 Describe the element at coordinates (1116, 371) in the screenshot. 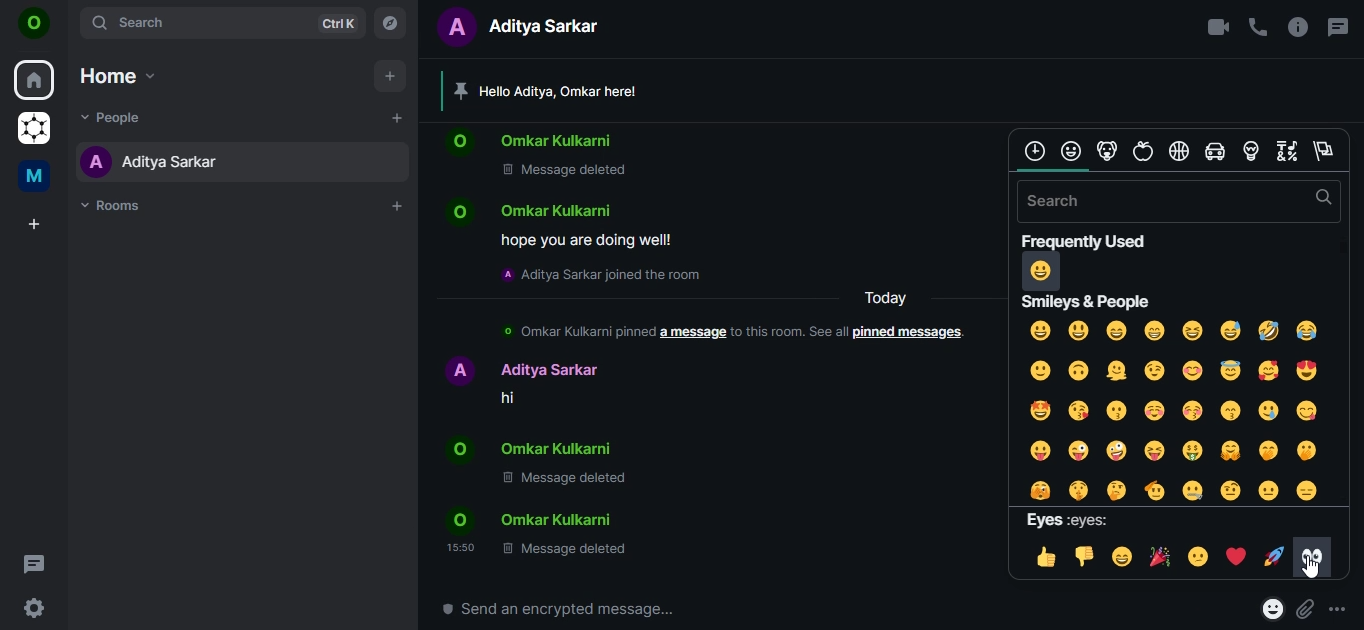

I see `melting face` at that location.